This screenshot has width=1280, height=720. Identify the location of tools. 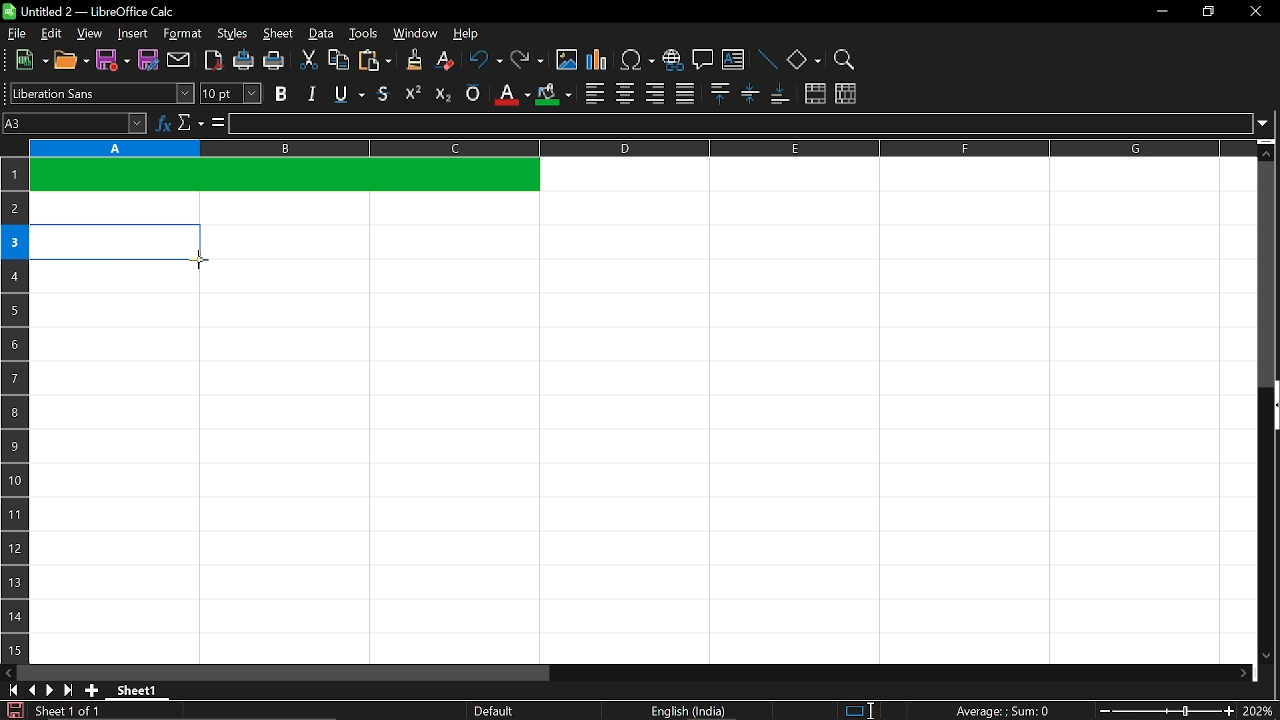
(364, 35).